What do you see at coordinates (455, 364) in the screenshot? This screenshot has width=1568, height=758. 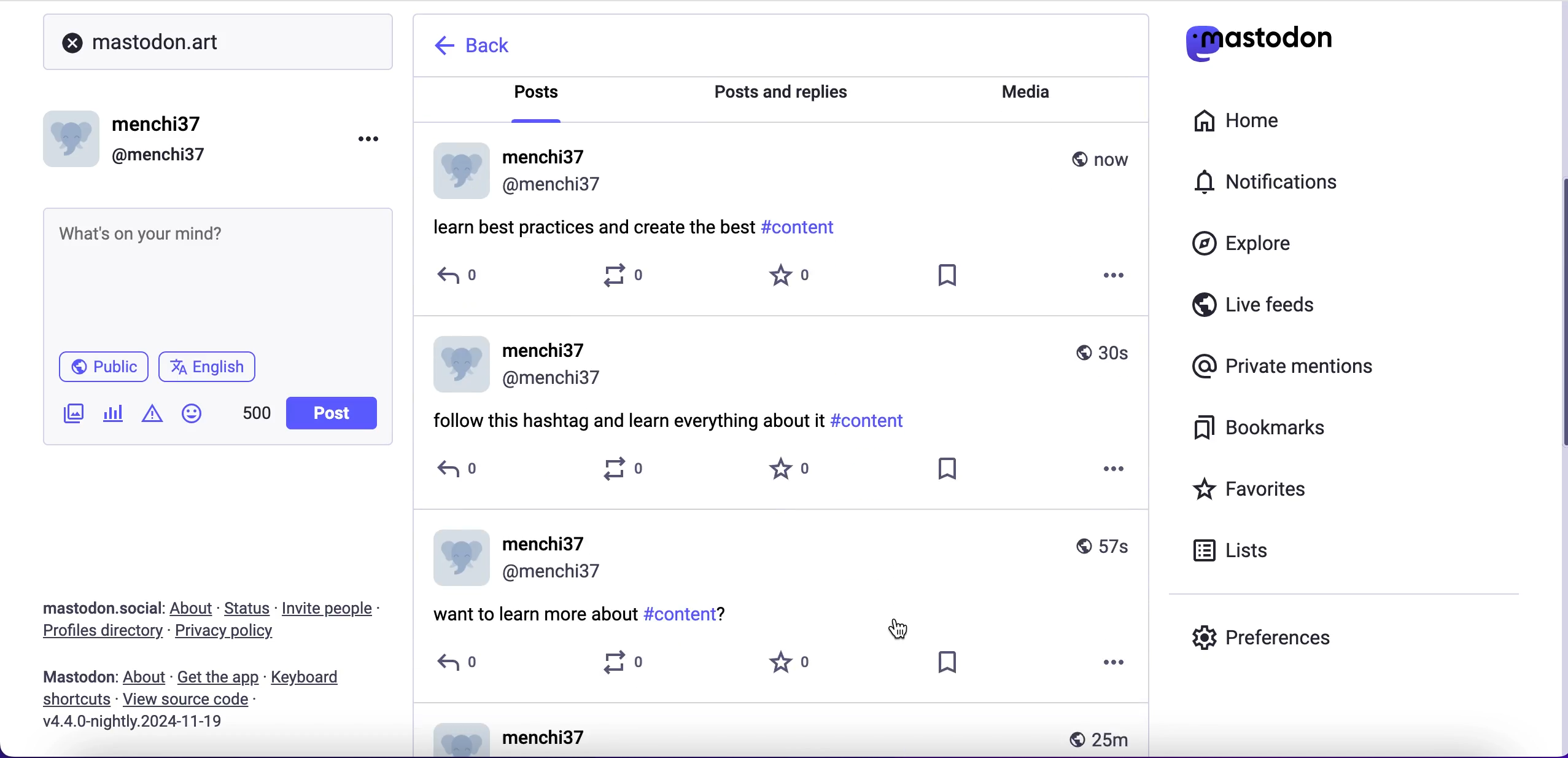 I see `display picture` at bounding box center [455, 364].